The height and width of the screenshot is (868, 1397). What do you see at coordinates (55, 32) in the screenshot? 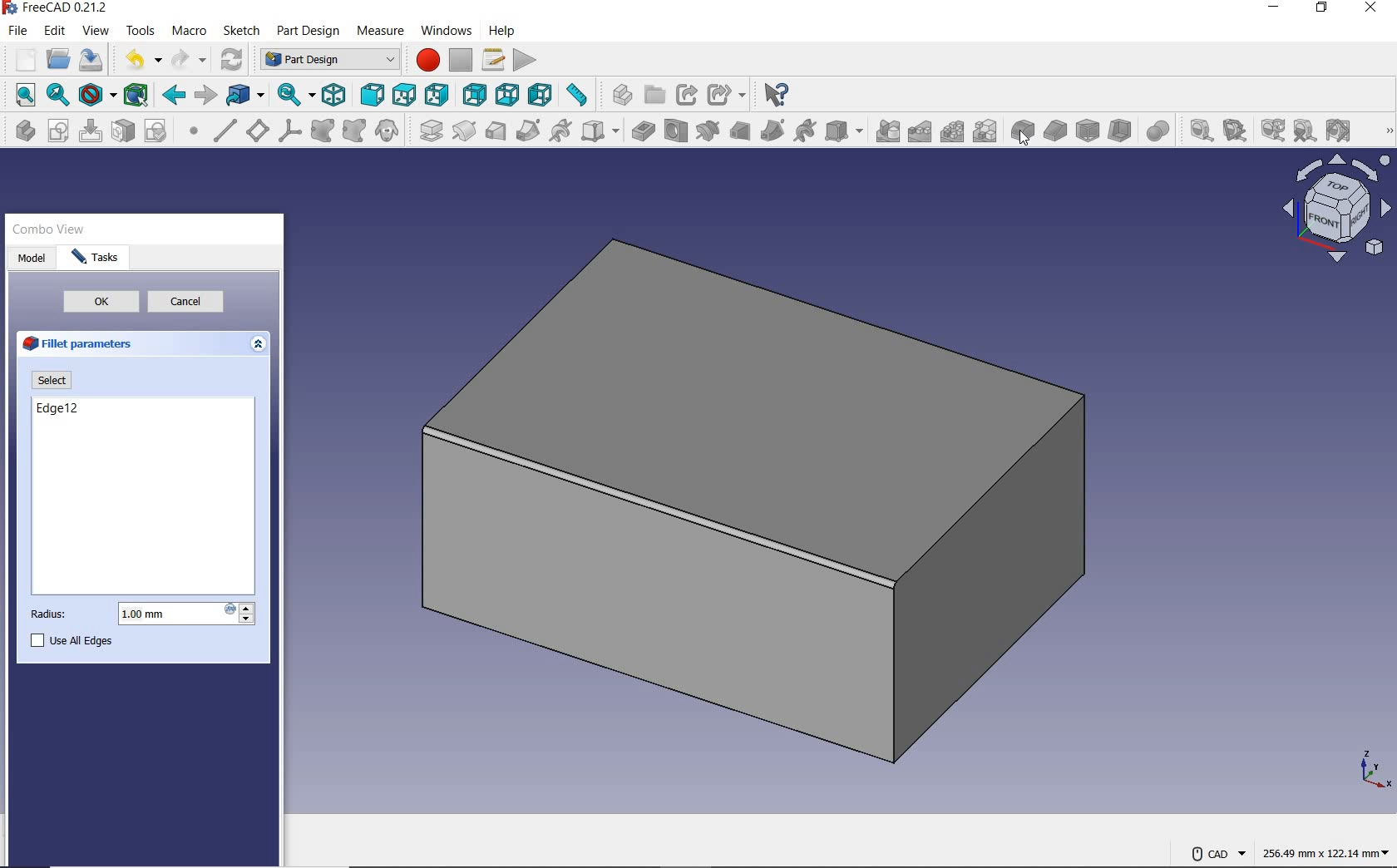
I see `edit` at bounding box center [55, 32].